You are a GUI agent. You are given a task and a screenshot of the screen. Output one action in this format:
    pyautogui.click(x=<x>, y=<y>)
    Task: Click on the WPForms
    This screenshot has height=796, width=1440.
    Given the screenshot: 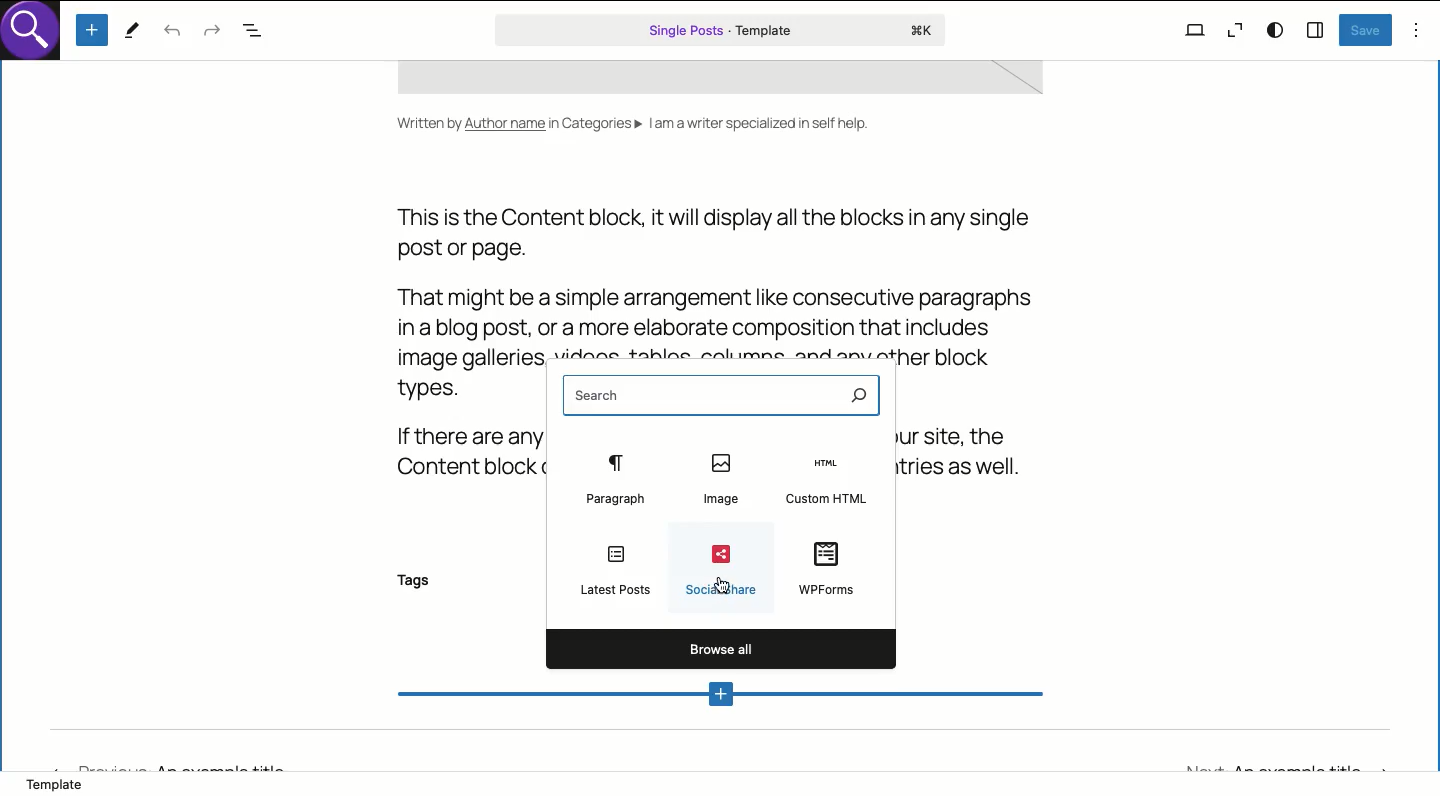 What is the action you would take?
    pyautogui.click(x=829, y=569)
    